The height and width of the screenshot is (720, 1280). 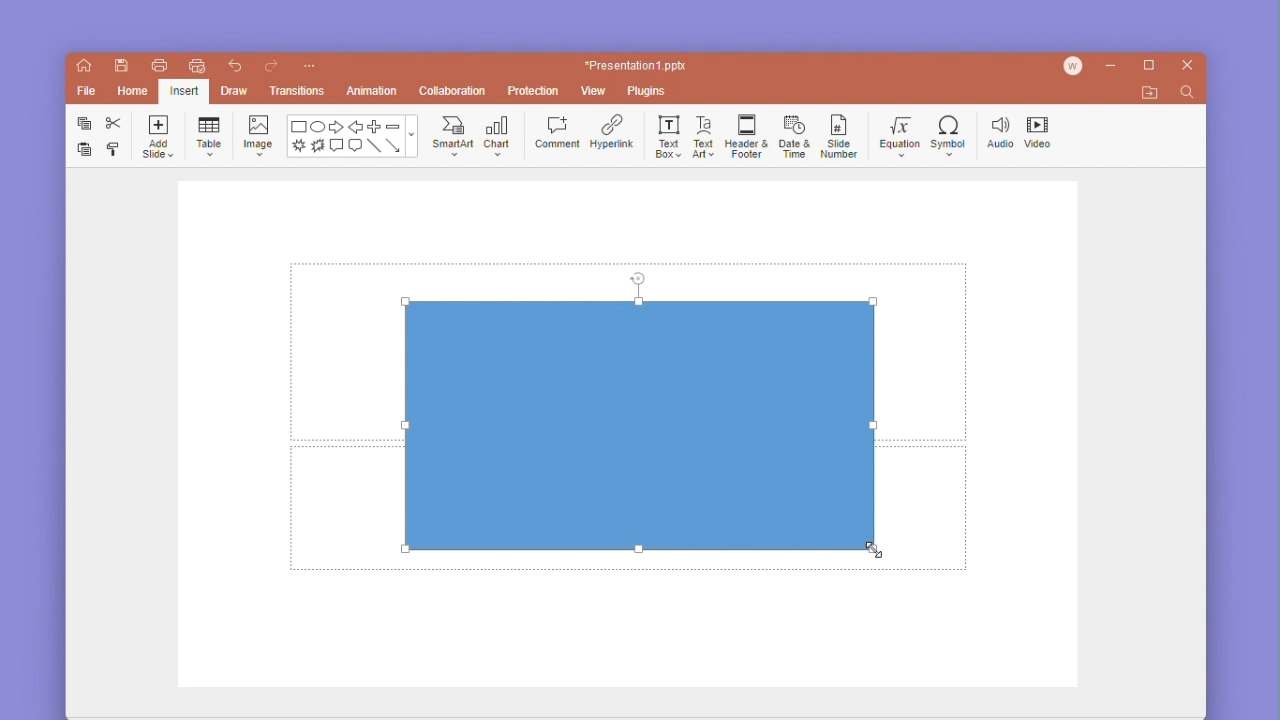 What do you see at coordinates (454, 135) in the screenshot?
I see `smartart` at bounding box center [454, 135].